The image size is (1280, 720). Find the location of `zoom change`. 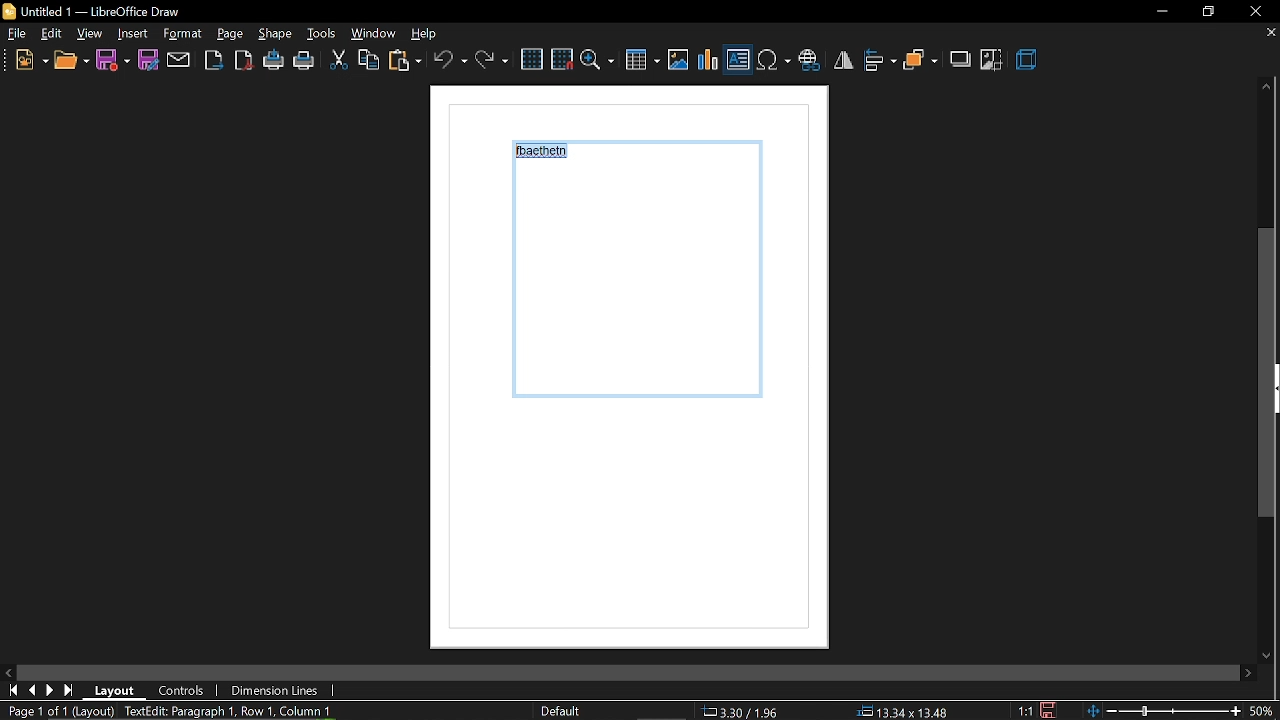

zoom change is located at coordinates (1183, 713).